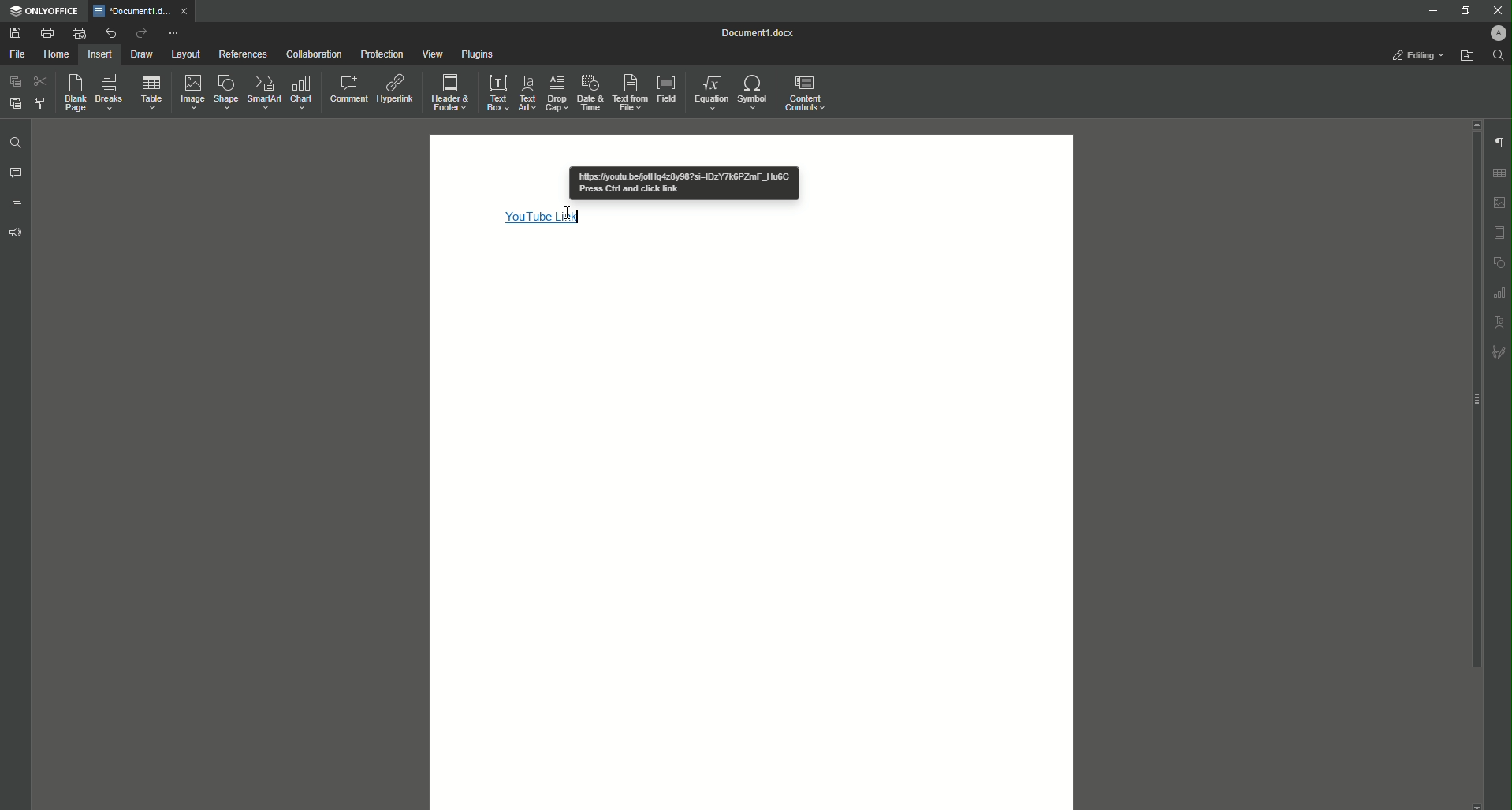  Describe the element at coordinates (16, 104) in the screenshot. I see `Paste` at that location.